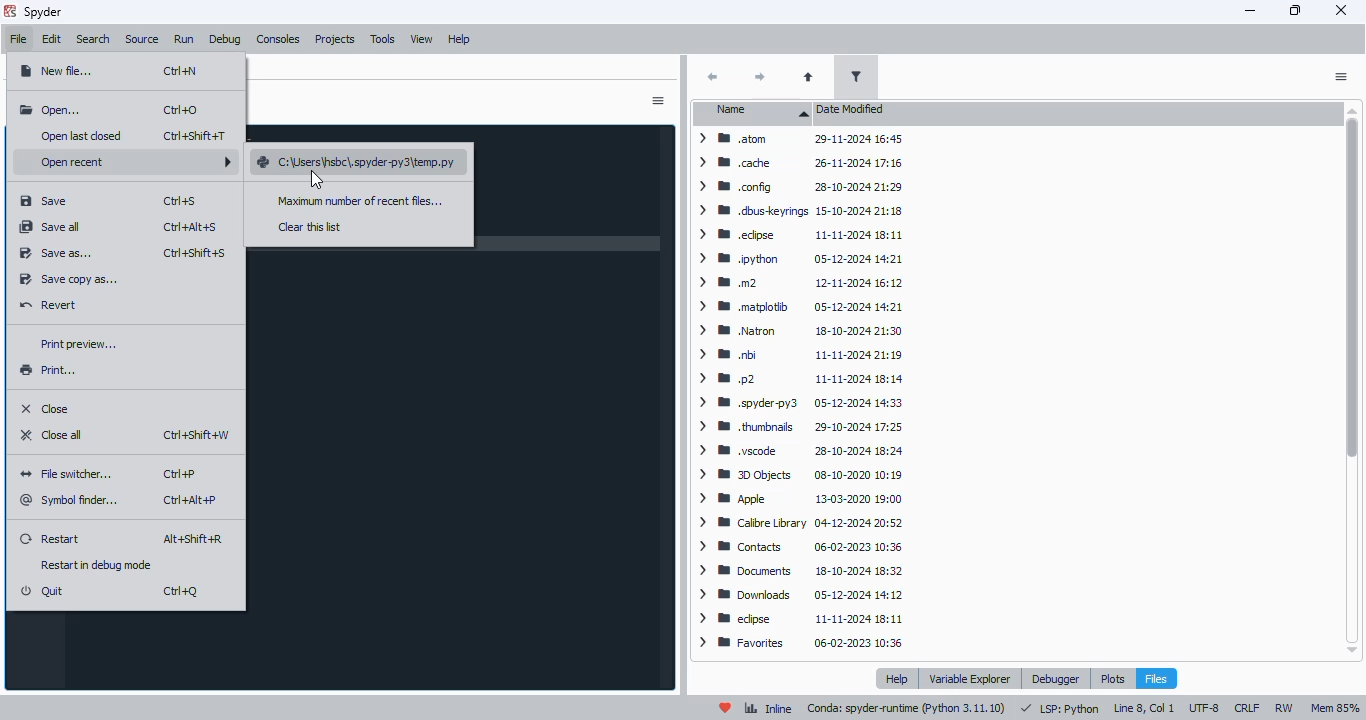 This screenshot has width=1366, height=720. What do you see at coordinates (181, 201) in the screenshot?
I see `shortcut for save` at bounding box center [181, 201].